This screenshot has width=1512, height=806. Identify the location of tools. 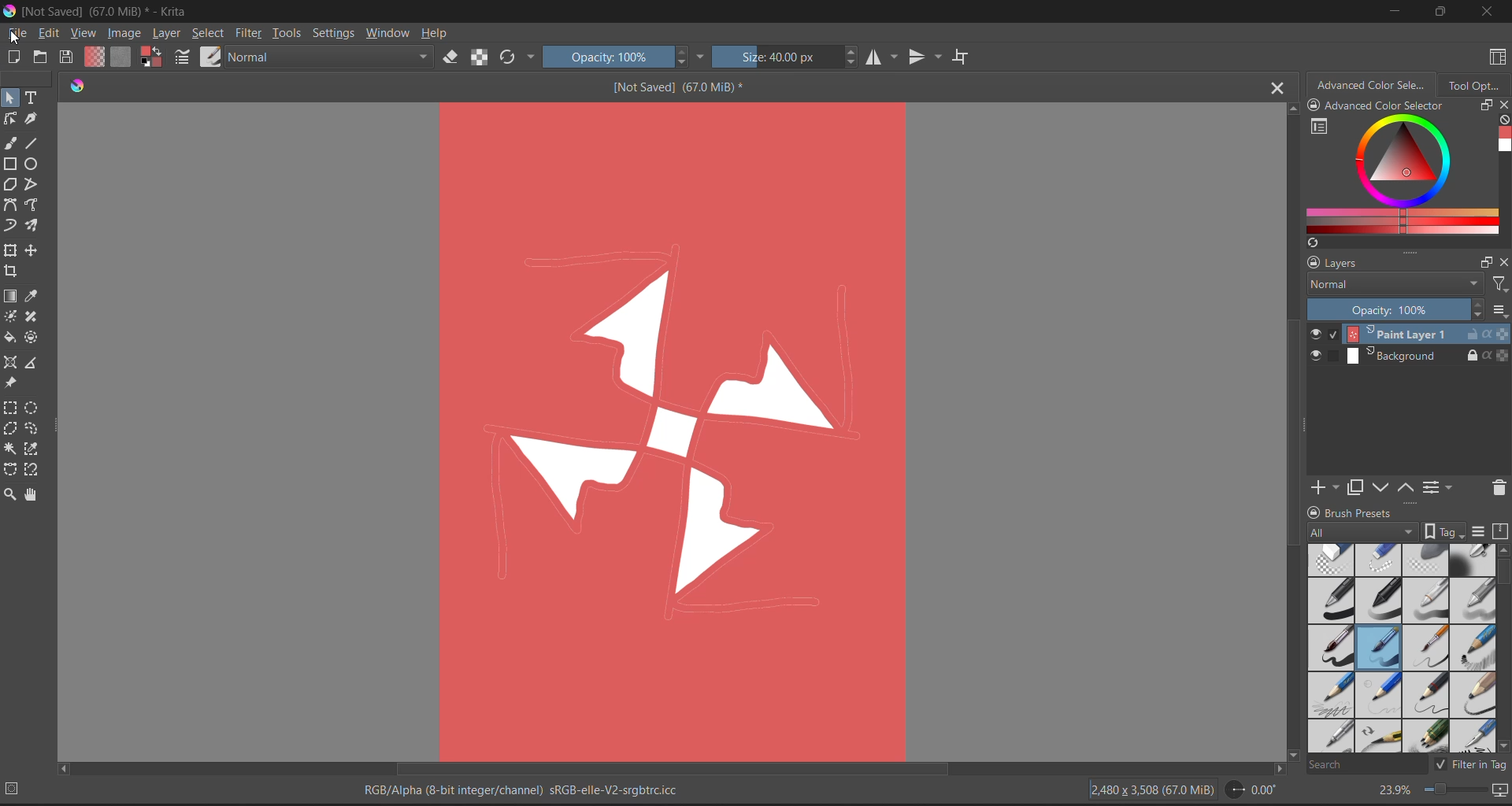
(10, 119).